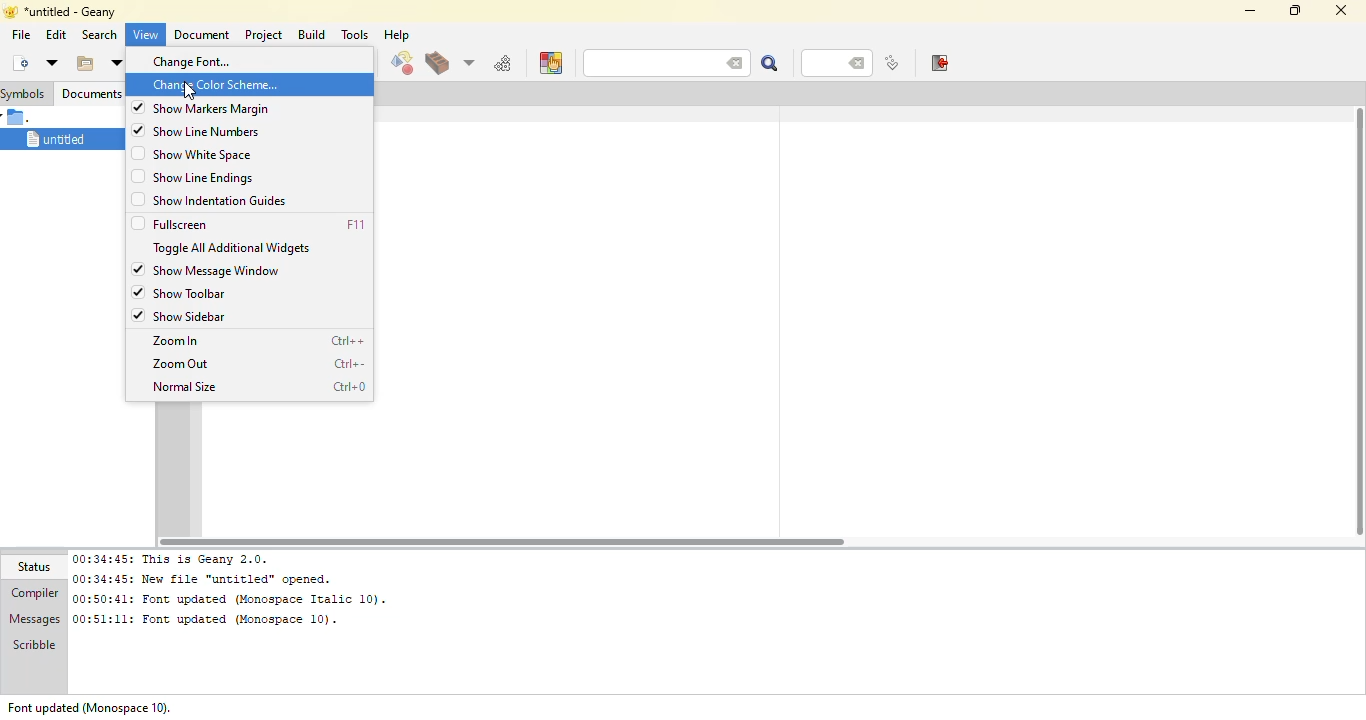 The width and height of the screenshot is (1366, 720). Describe the element at coordinates (207, 177) in the screenshot. I see `show line endings` at that location.